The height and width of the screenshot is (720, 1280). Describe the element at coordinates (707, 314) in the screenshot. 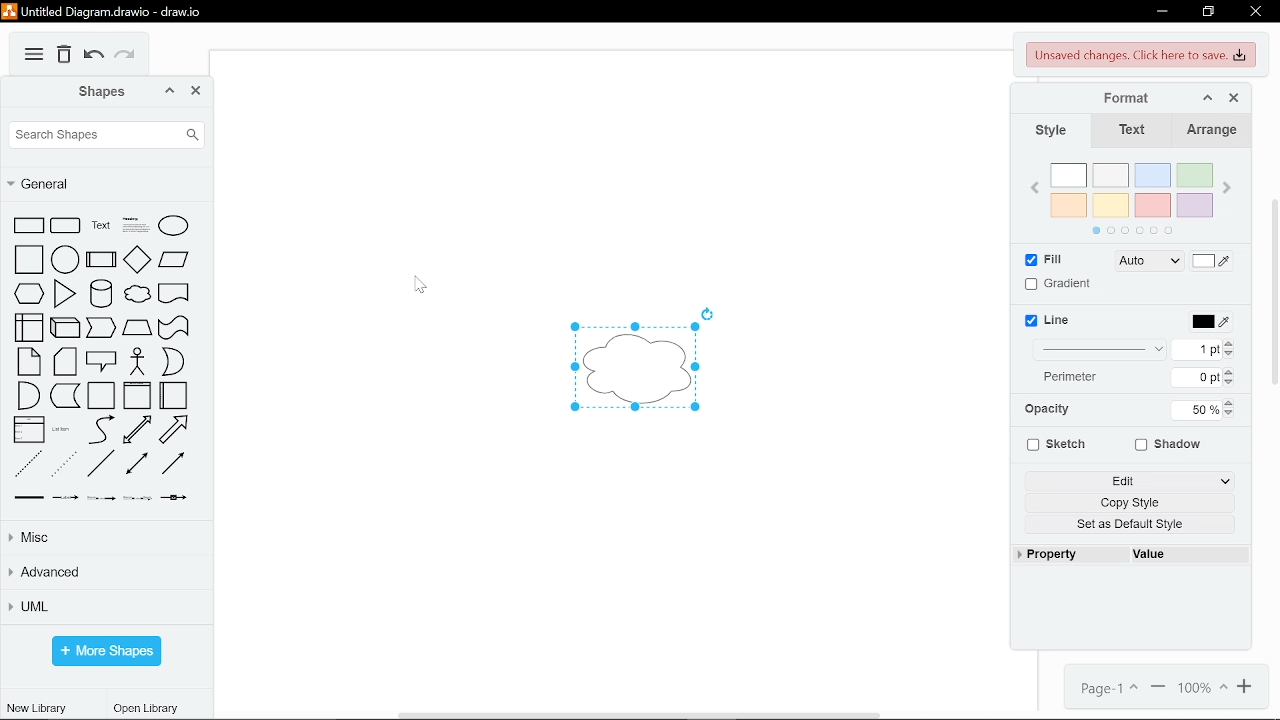

I see `Rotate diagram` at that location.